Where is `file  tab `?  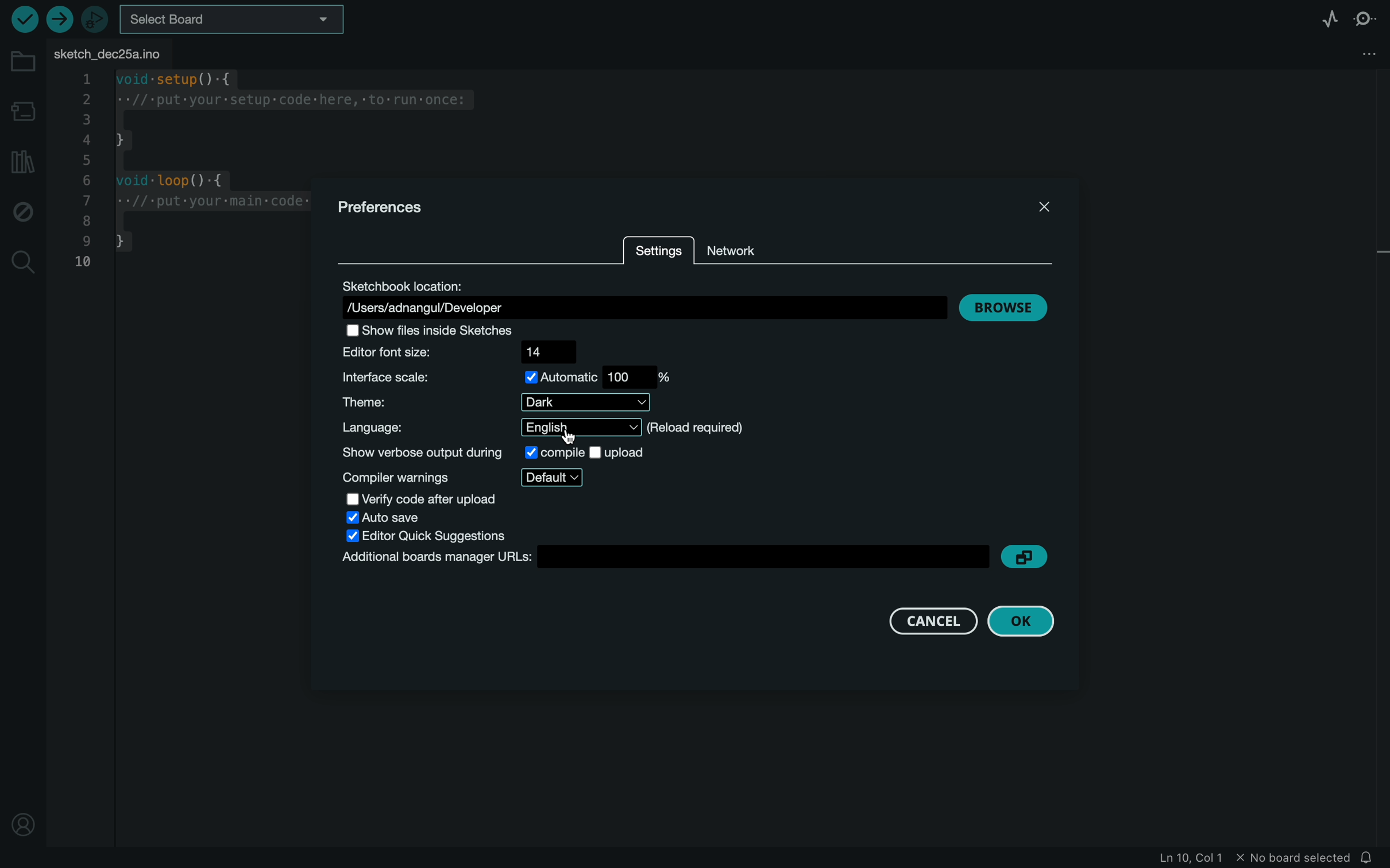 file  tab  is located at coordinates (114, 54).